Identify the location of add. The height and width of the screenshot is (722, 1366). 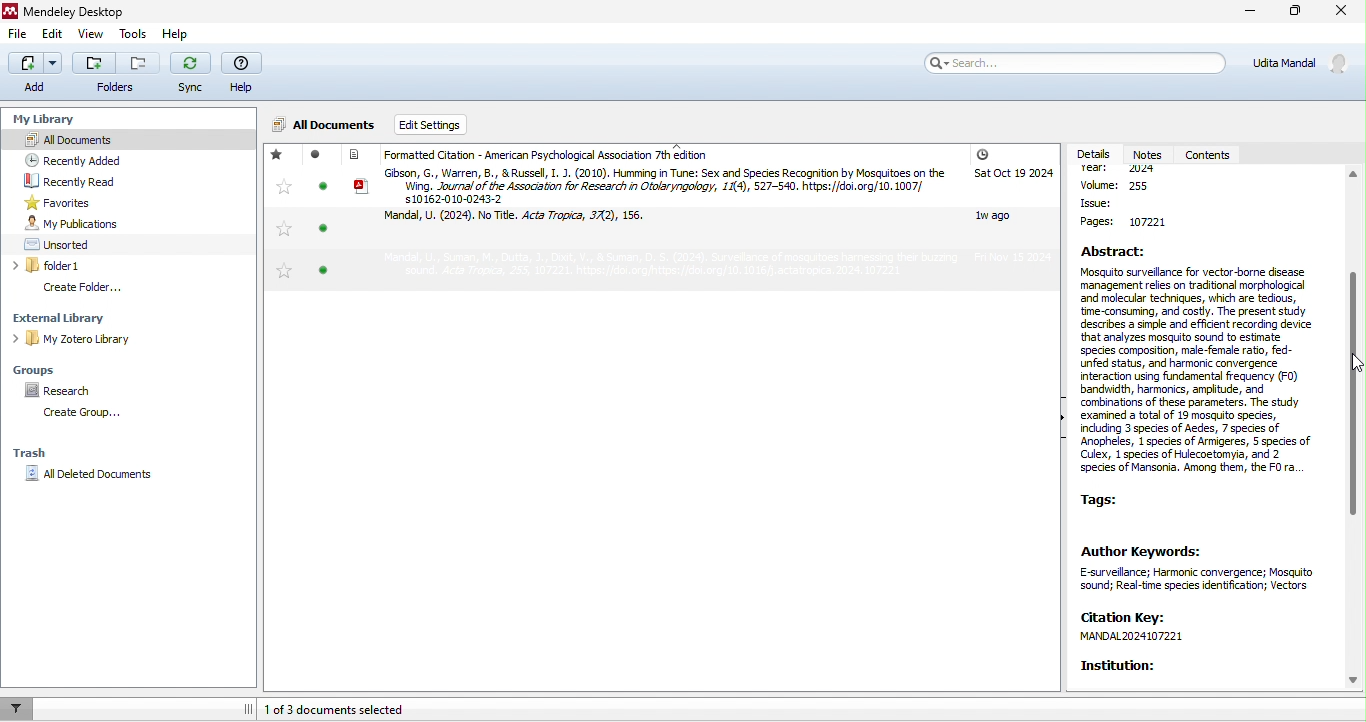
(35, 72).